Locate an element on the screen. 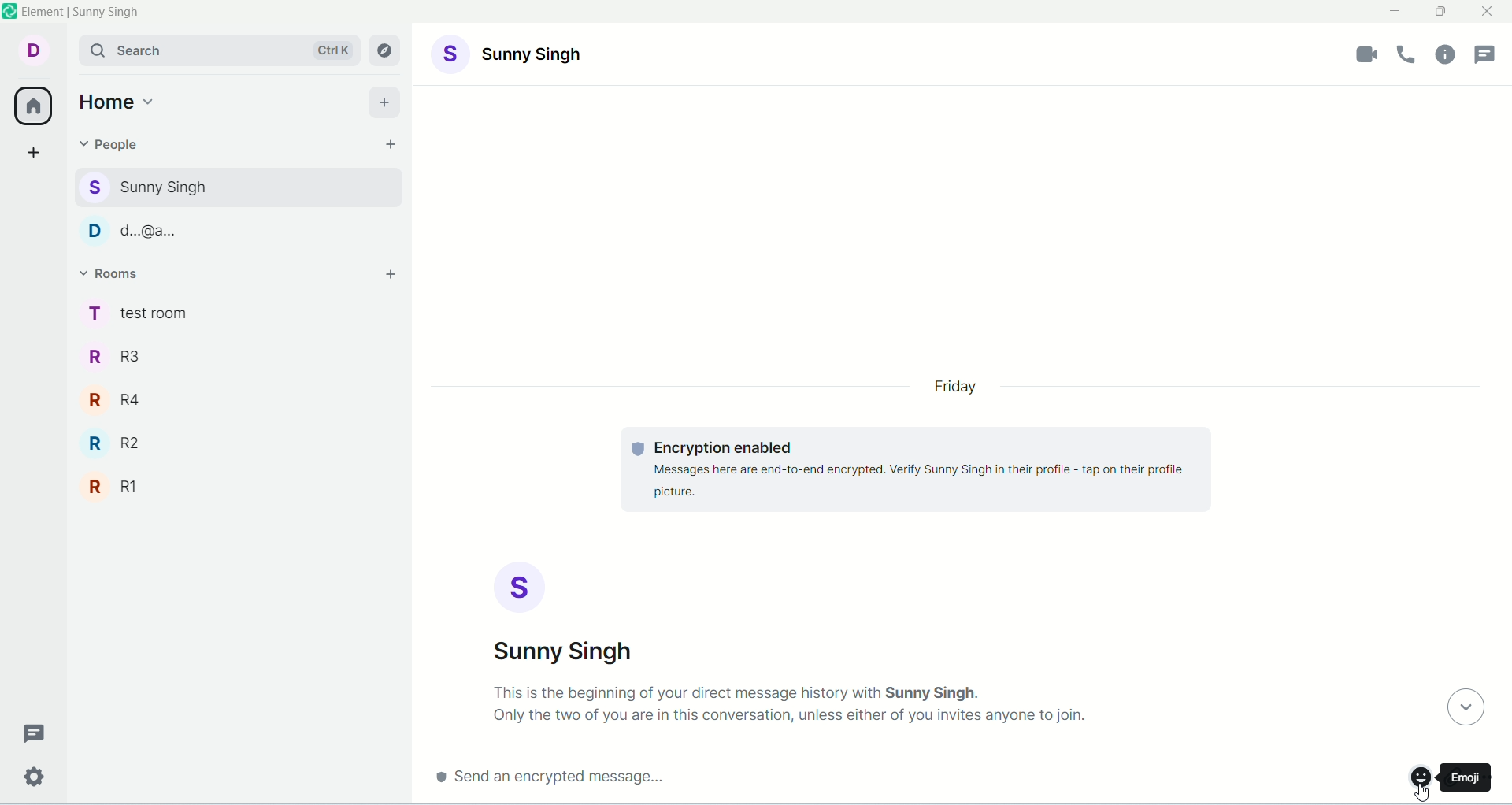 Image resolution: width=1512 pixels, height=805 pixels. minimize is located at coordinates (1396, 13).